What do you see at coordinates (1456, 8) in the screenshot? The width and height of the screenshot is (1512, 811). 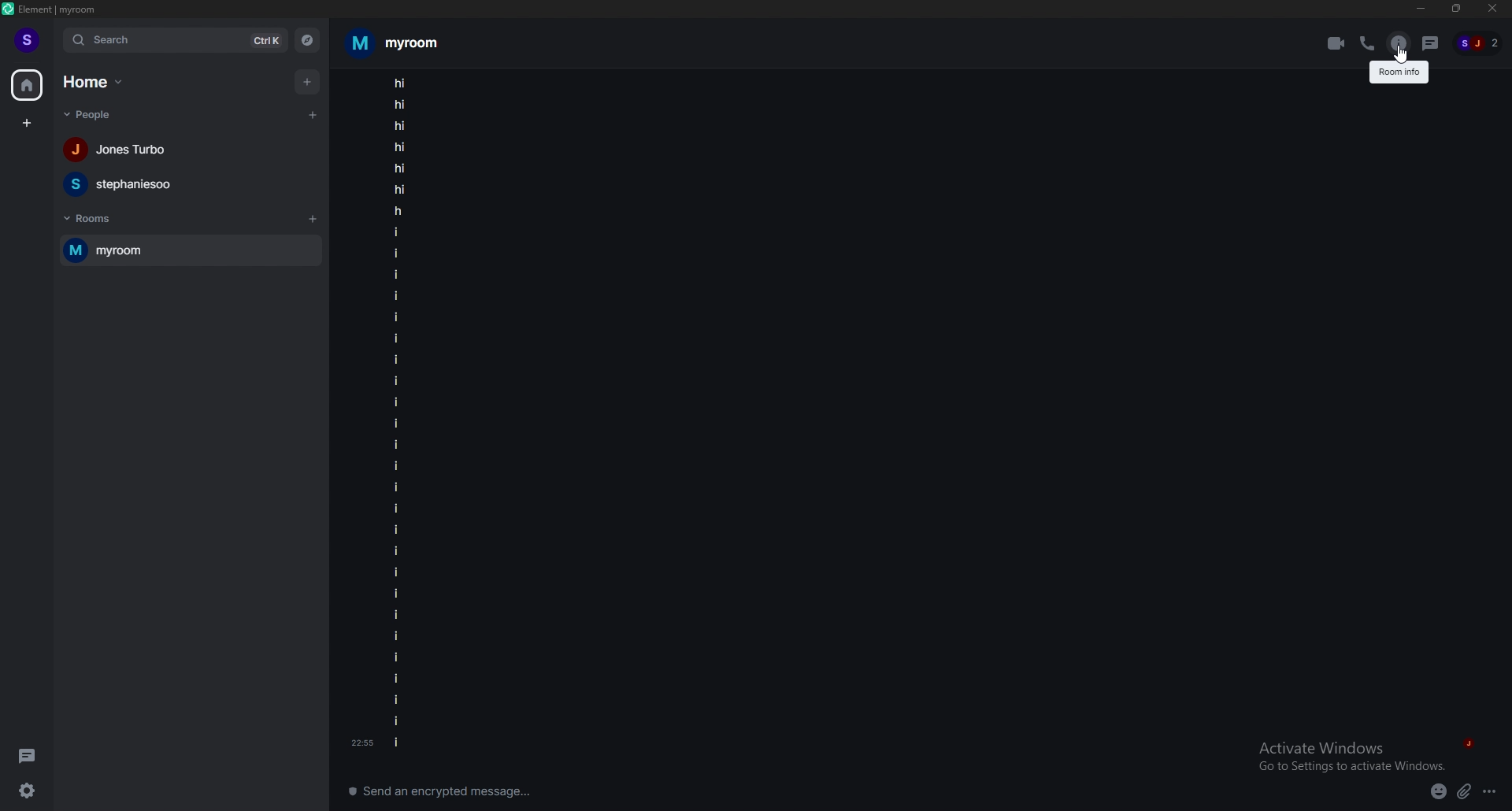 I see `resize` at bounding box center [1456, 8].